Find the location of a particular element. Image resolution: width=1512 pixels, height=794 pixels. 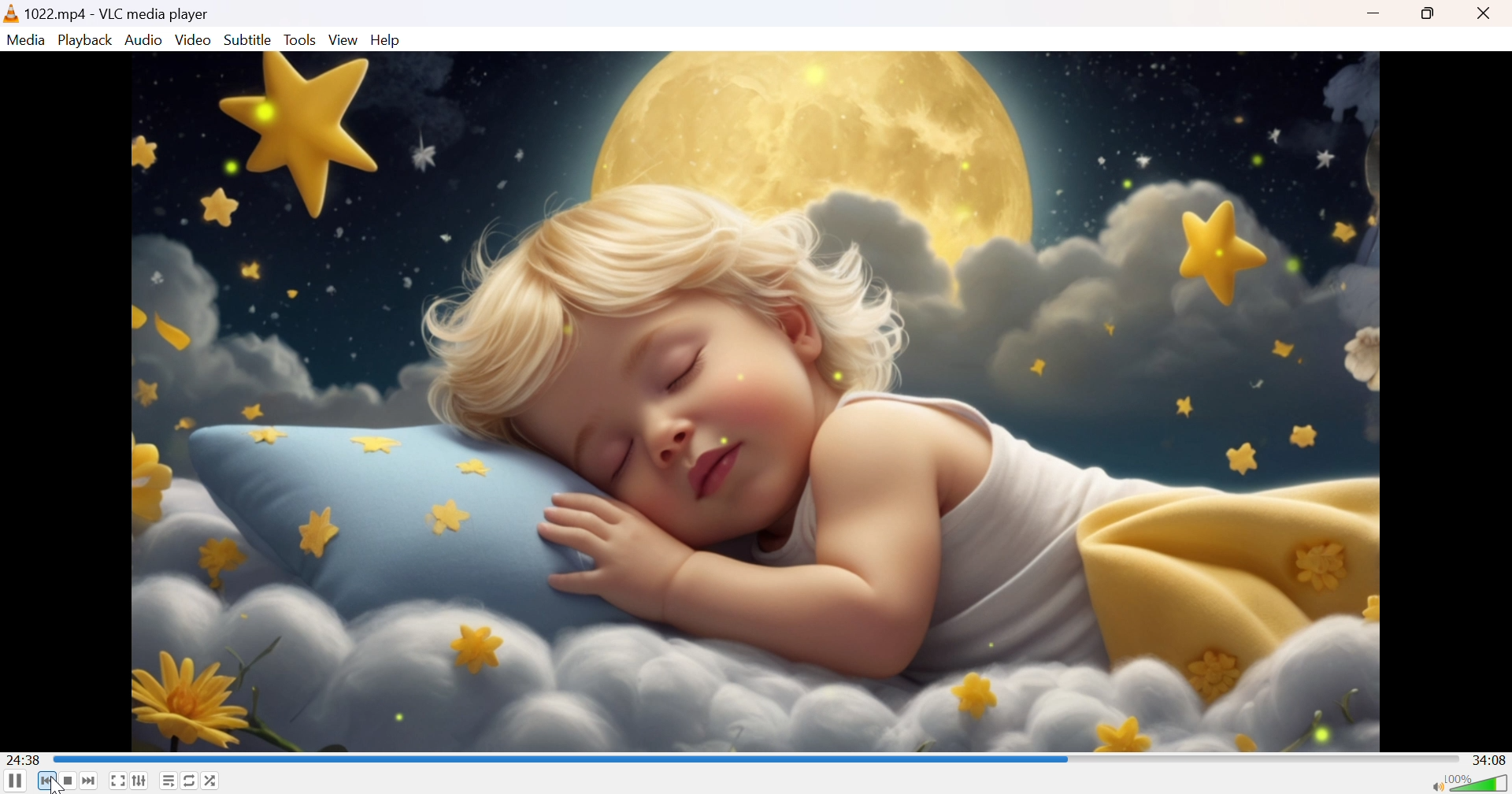

34:08 is located at coordinates (1491, 759).